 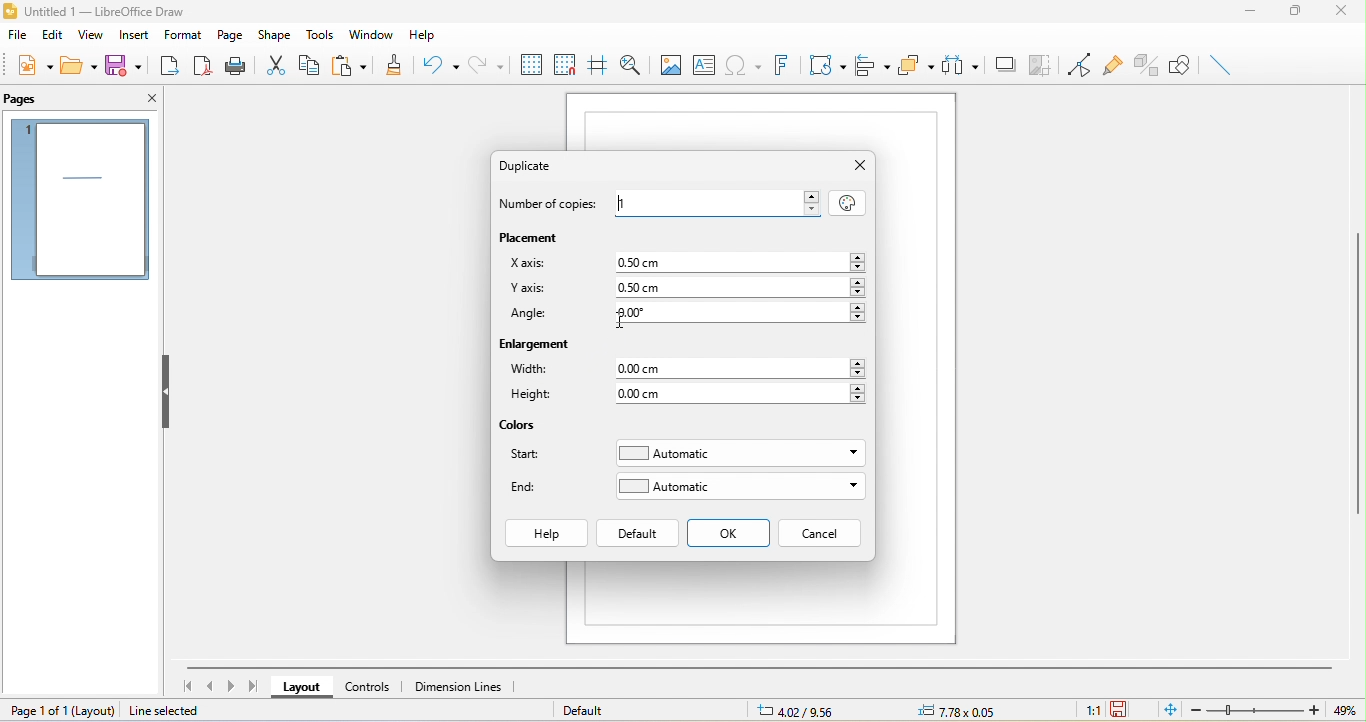 I want to click on export, so click(x=172, y=68).